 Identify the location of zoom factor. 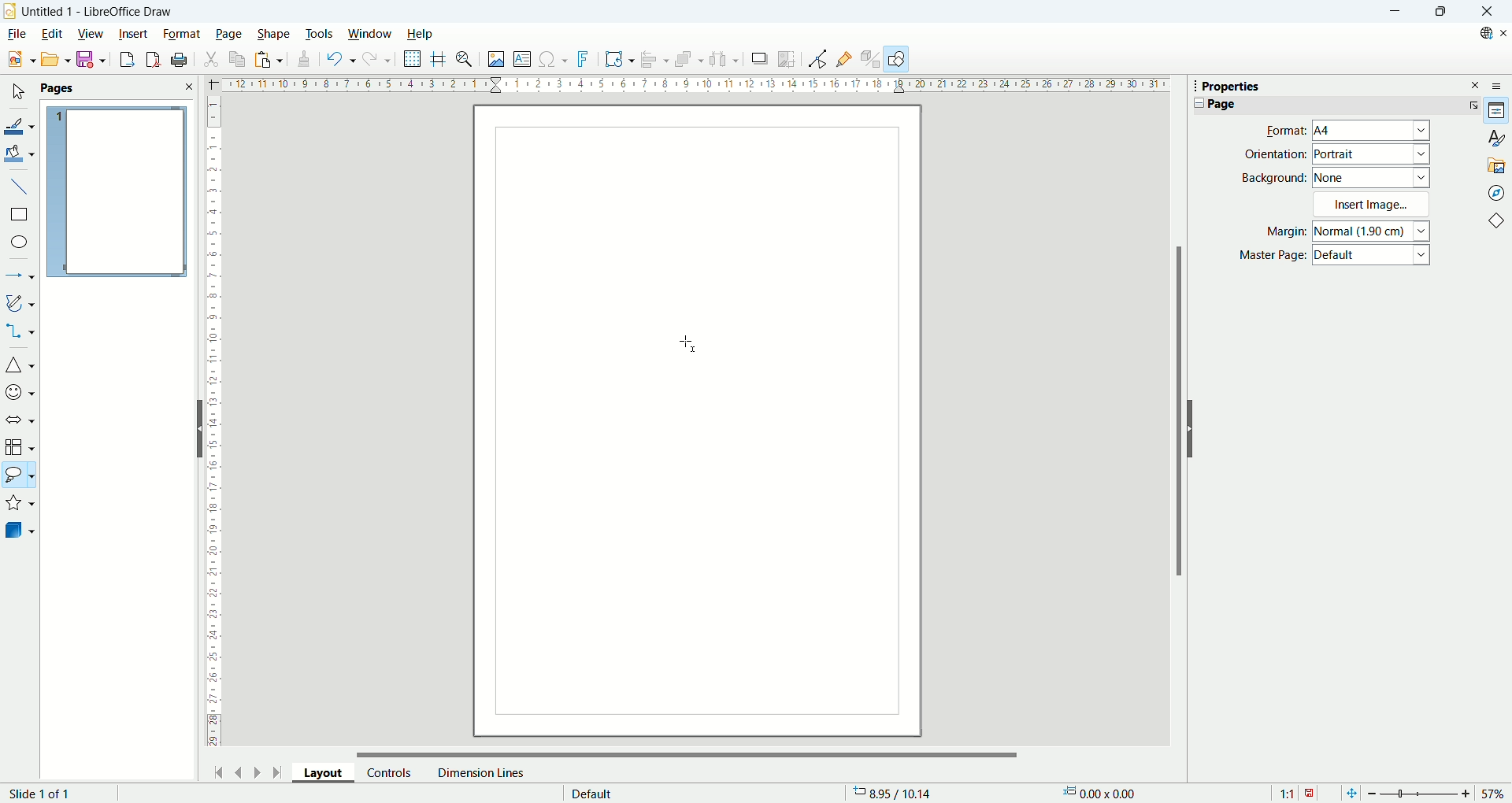
(1436, 792).